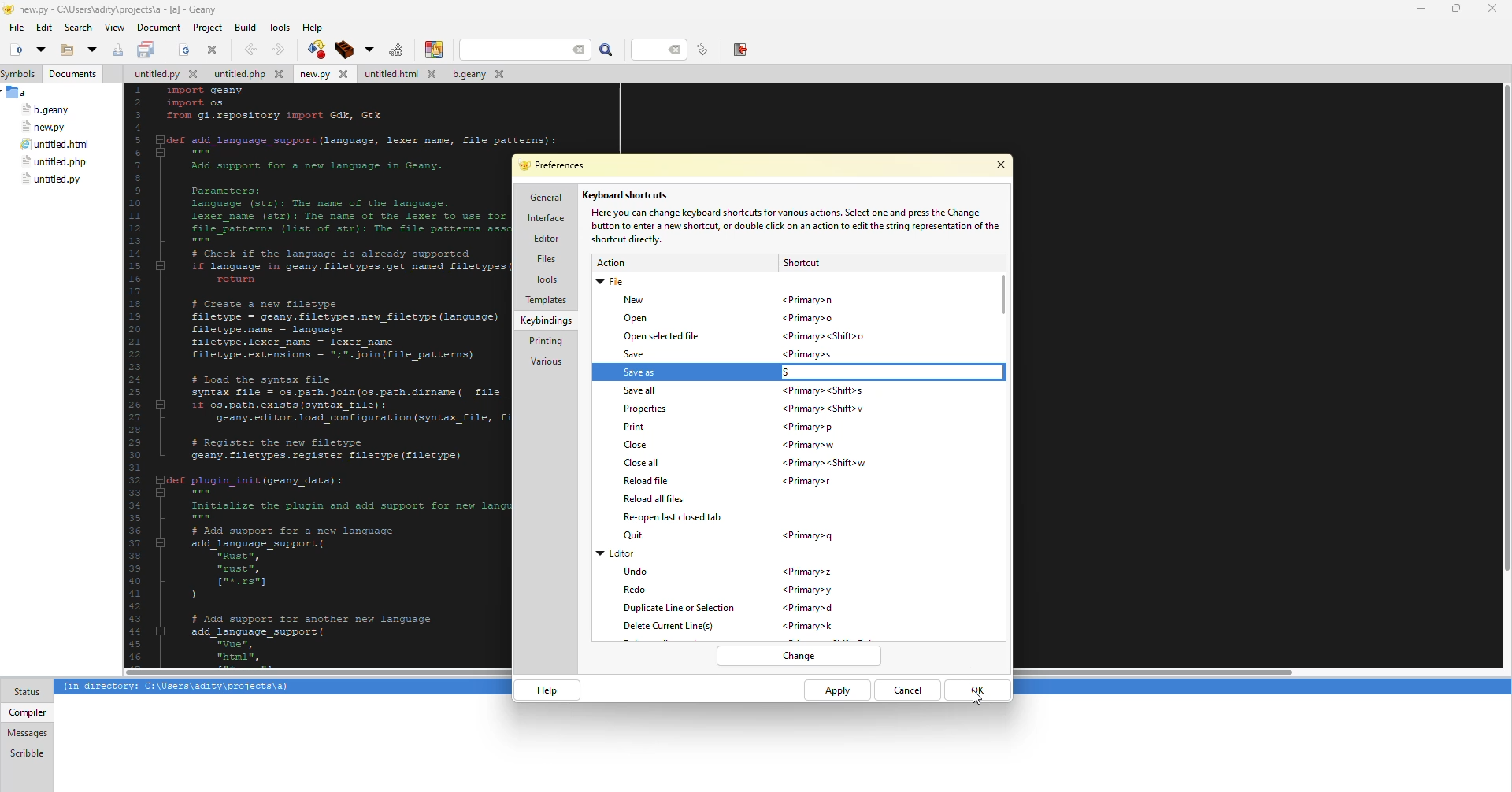 Image resolution: width=1512 pixels, height=792 pixels. What do you see at coordinates (44, 28) in the screenshot?
I see `edit` at bounding box center [44, 28].